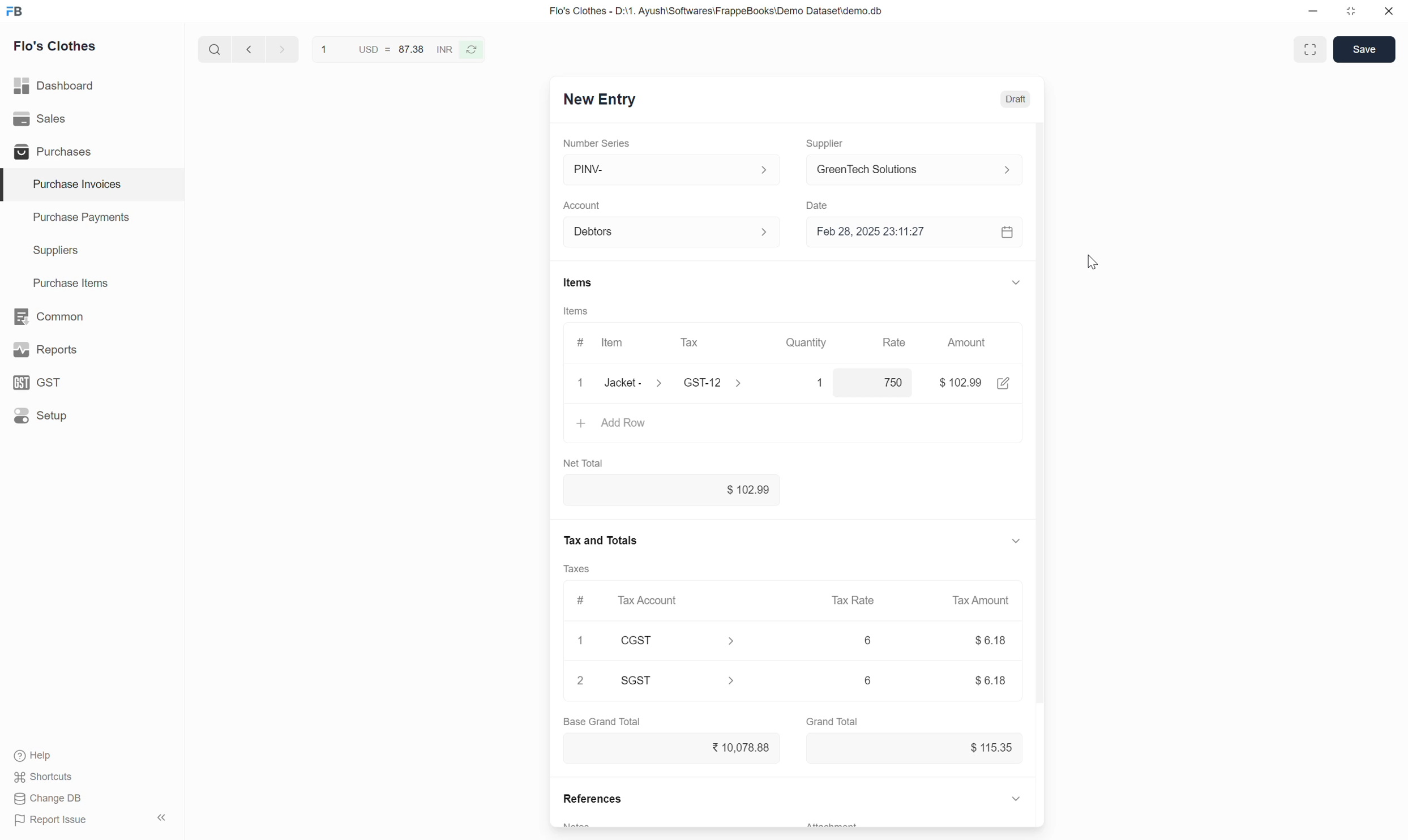 The width and height of the screenshot is (1408, 840). I want to click on Taxes, so click(576, 569).